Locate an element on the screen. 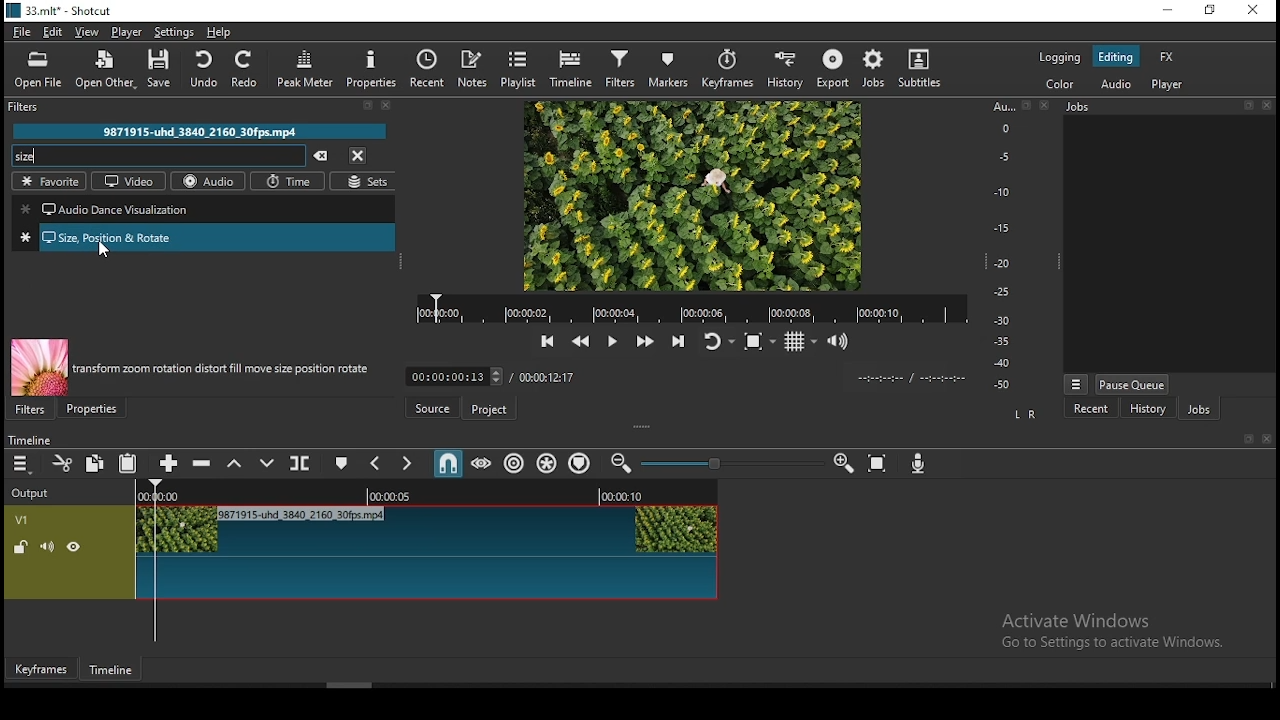 The width and height of the screenshot is (1280, 720). 0 is located at coordinates (1007, 129).